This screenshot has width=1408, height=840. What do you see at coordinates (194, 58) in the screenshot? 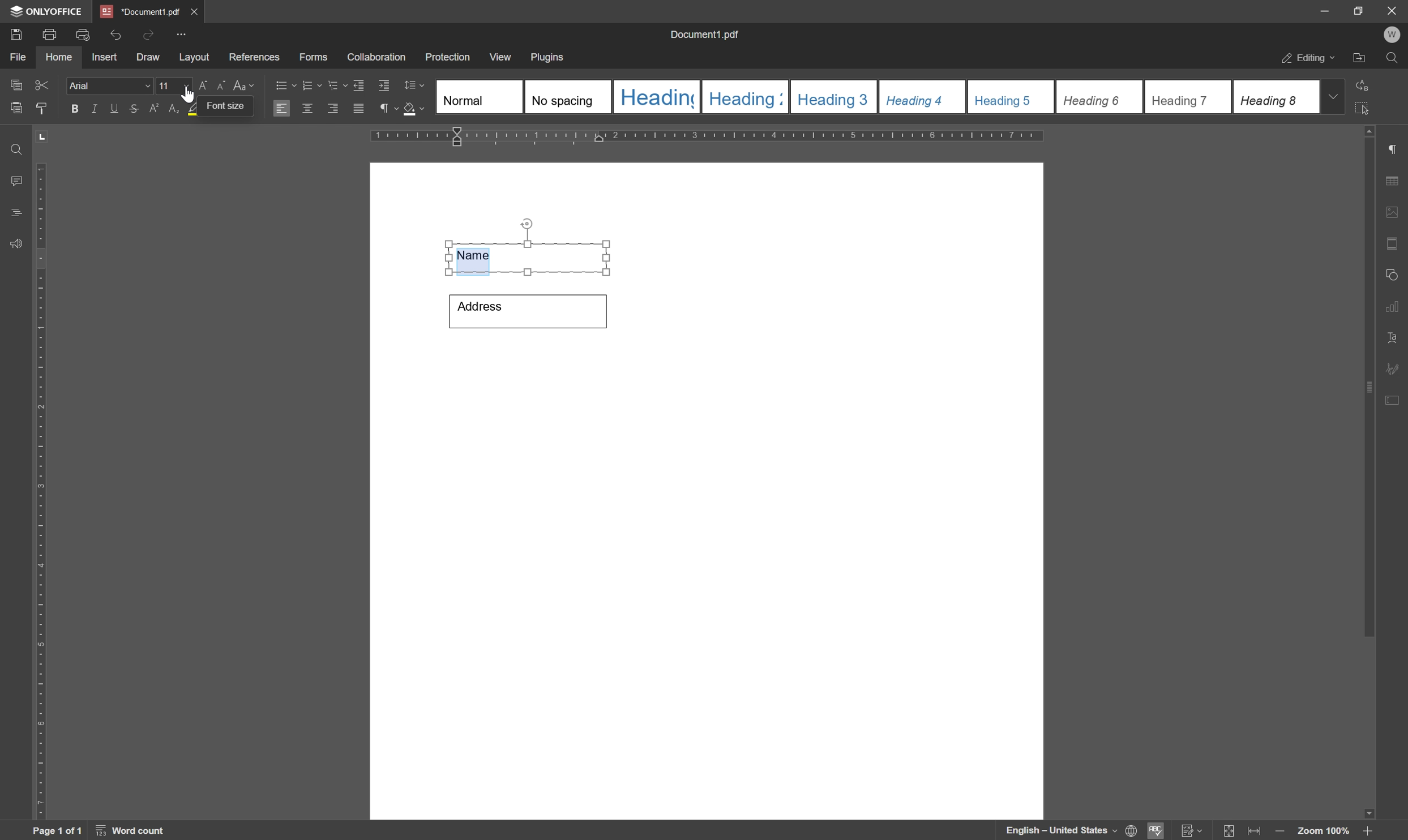
I see `layout` at bounding box center [194, 58].